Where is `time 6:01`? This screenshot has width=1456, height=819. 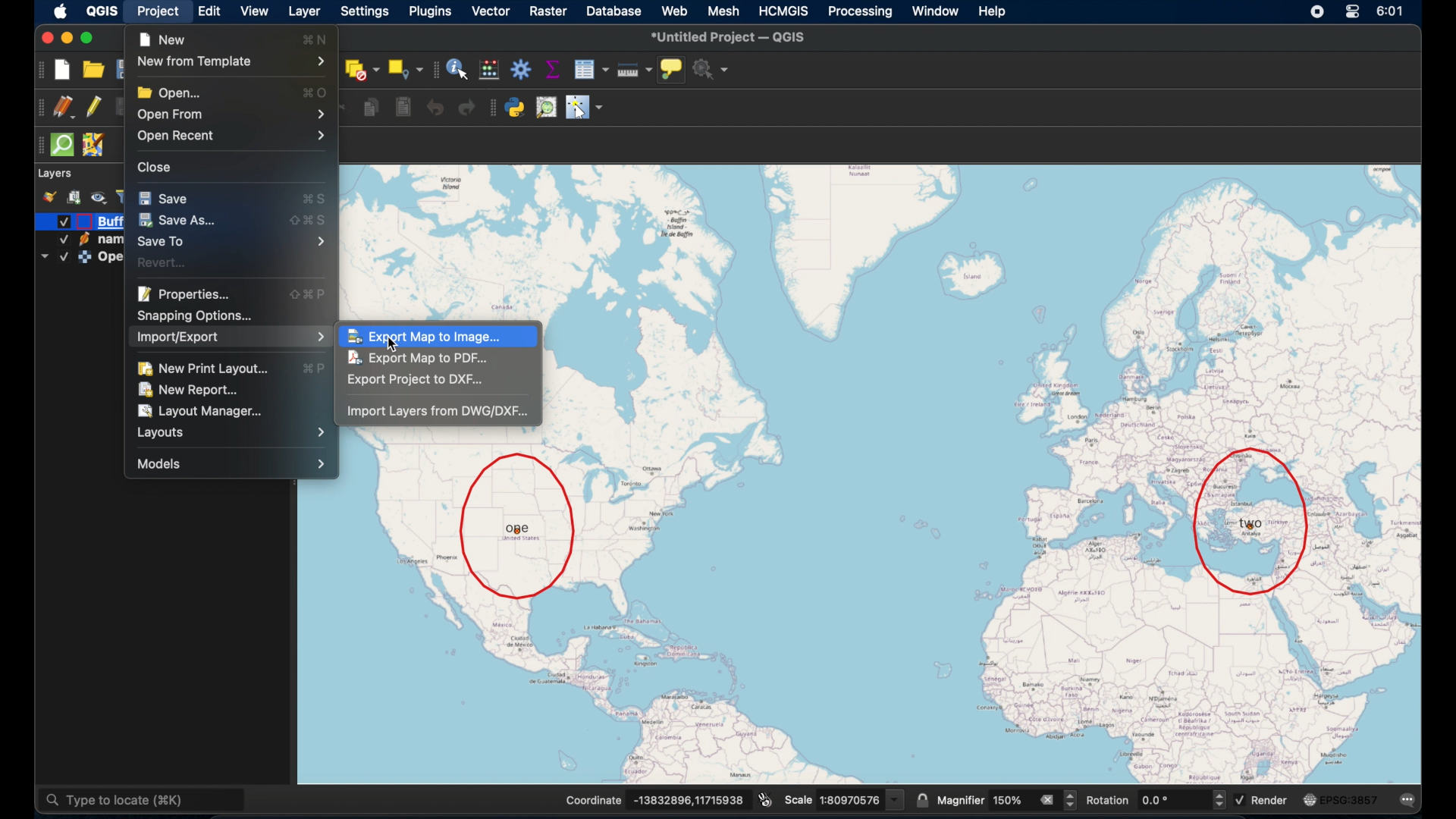
time 6:01 is located at coordinates (1389, 11).